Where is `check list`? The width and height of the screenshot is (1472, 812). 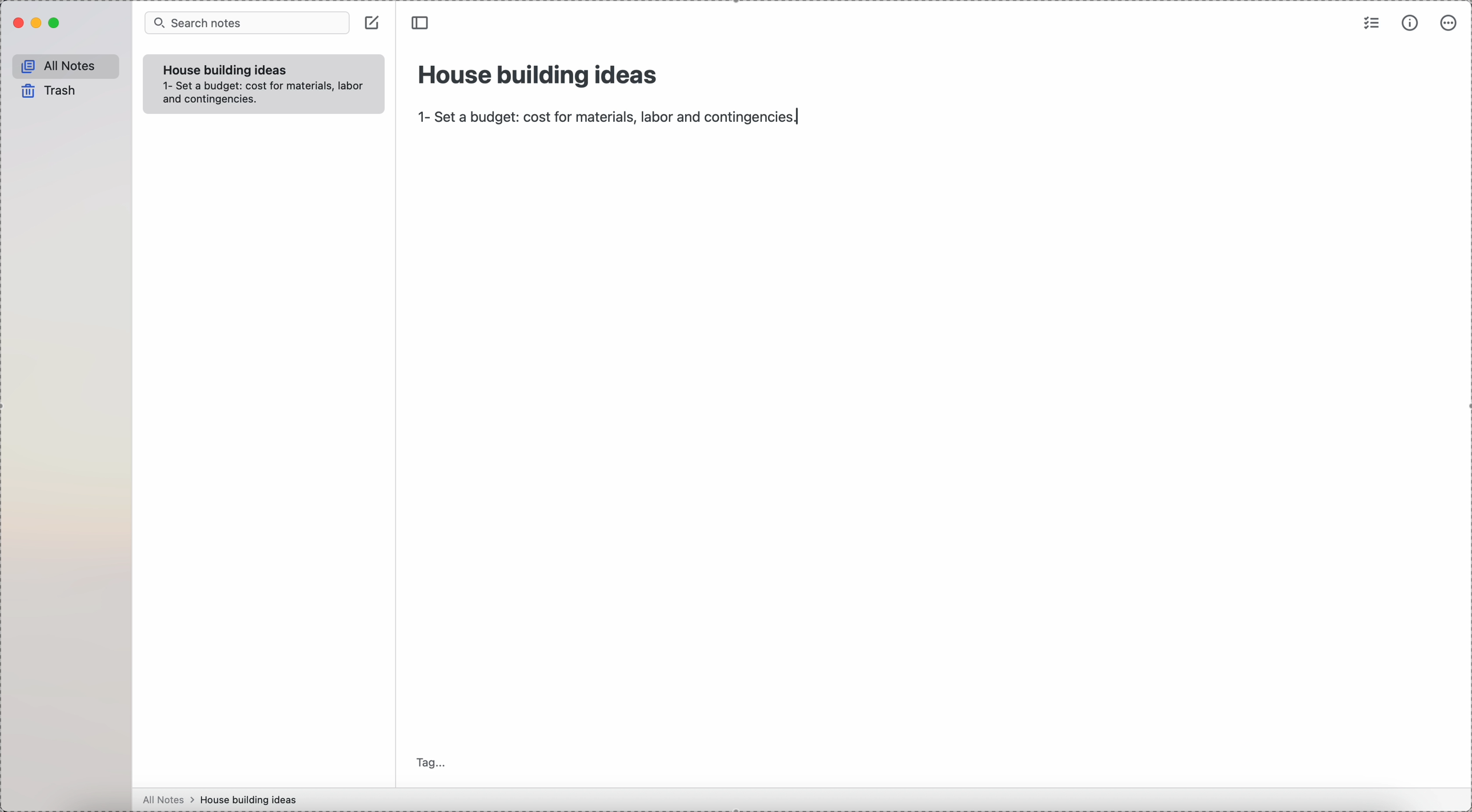
check list is located at coordinates (1370, 25).